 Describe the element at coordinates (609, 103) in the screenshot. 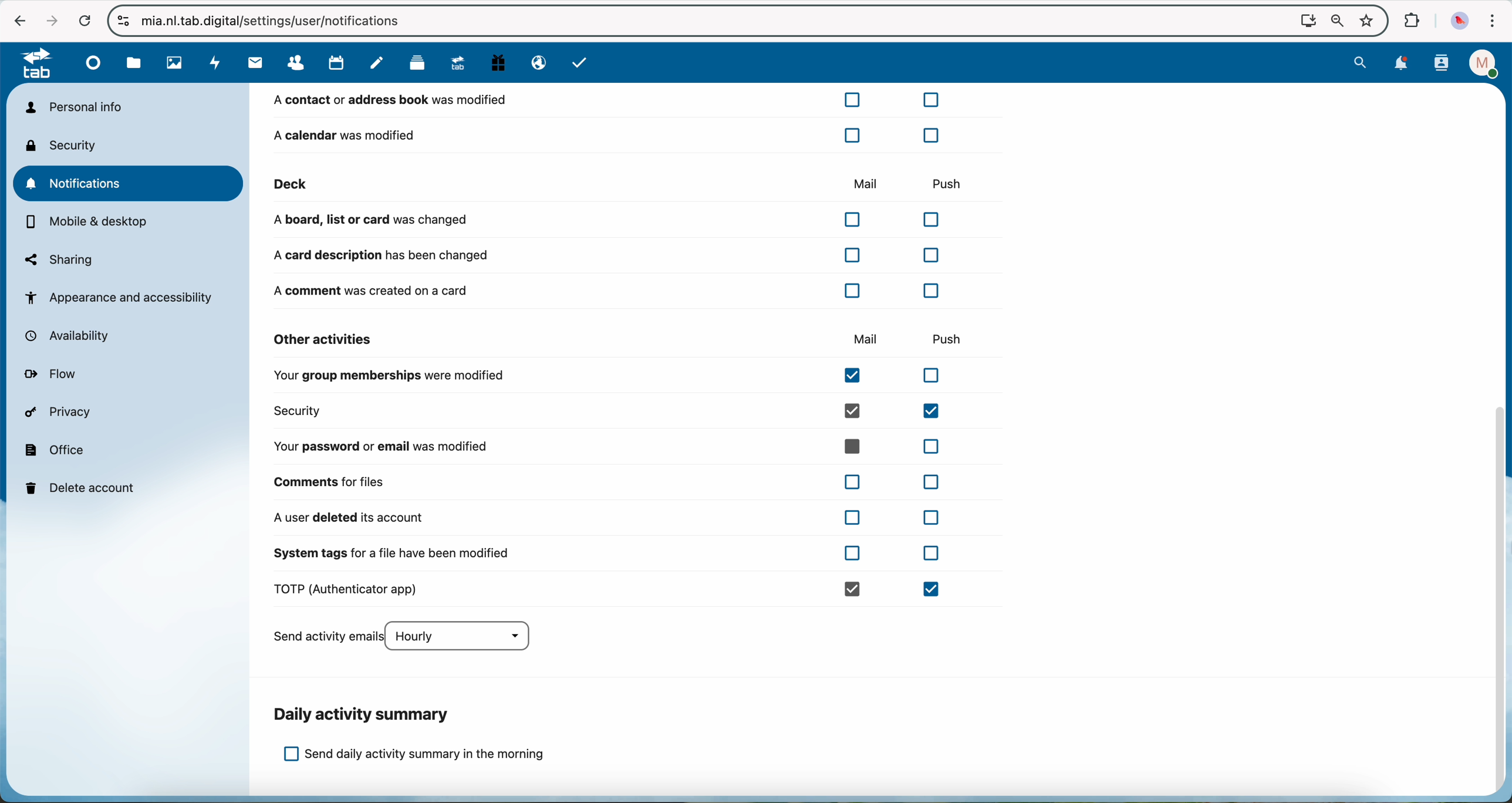

I see `a contact or address book was modified` at that location.